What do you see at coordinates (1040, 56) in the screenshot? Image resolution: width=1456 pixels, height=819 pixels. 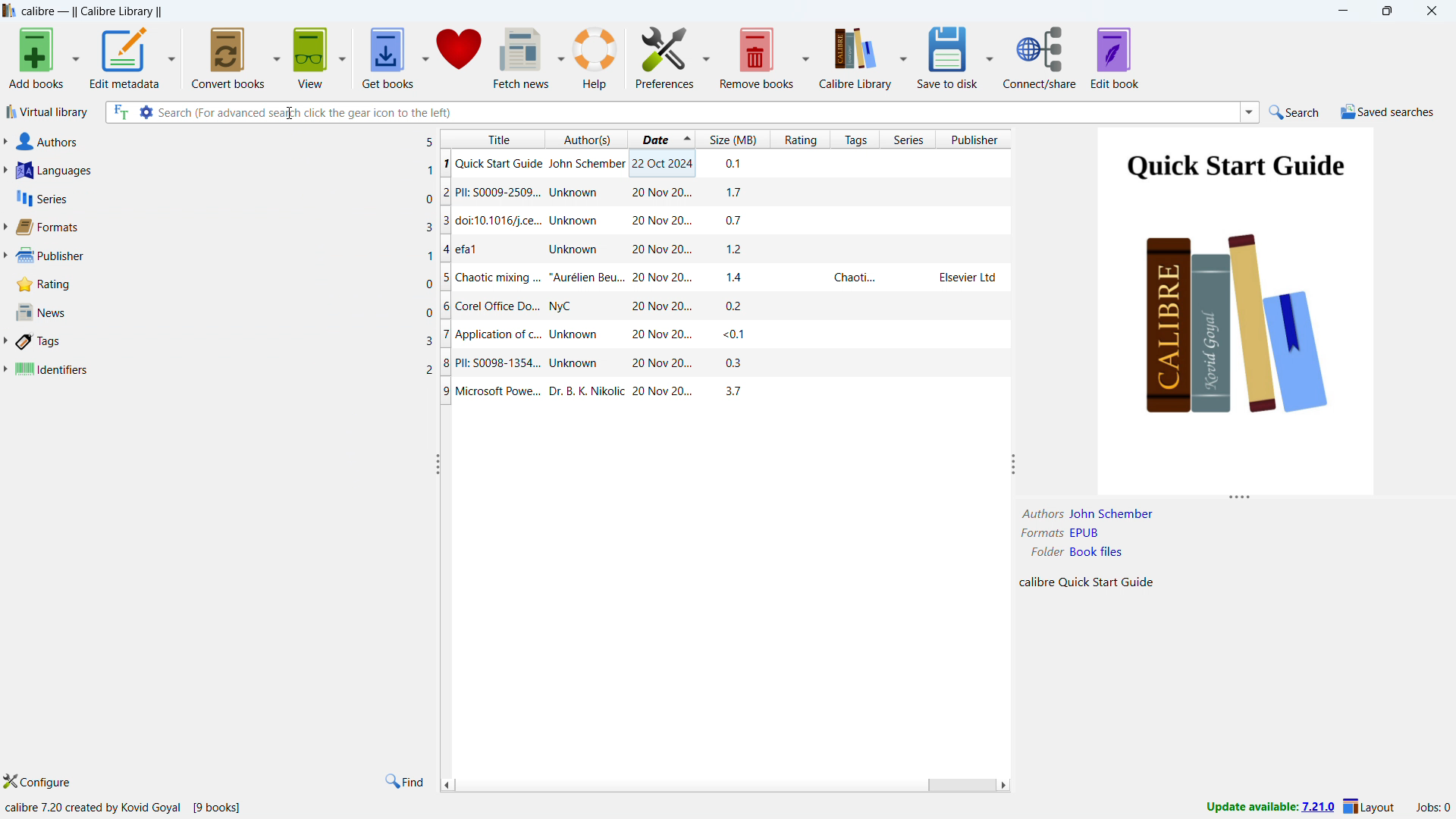 I see `connect/share` at bounding box center [1040, 56].